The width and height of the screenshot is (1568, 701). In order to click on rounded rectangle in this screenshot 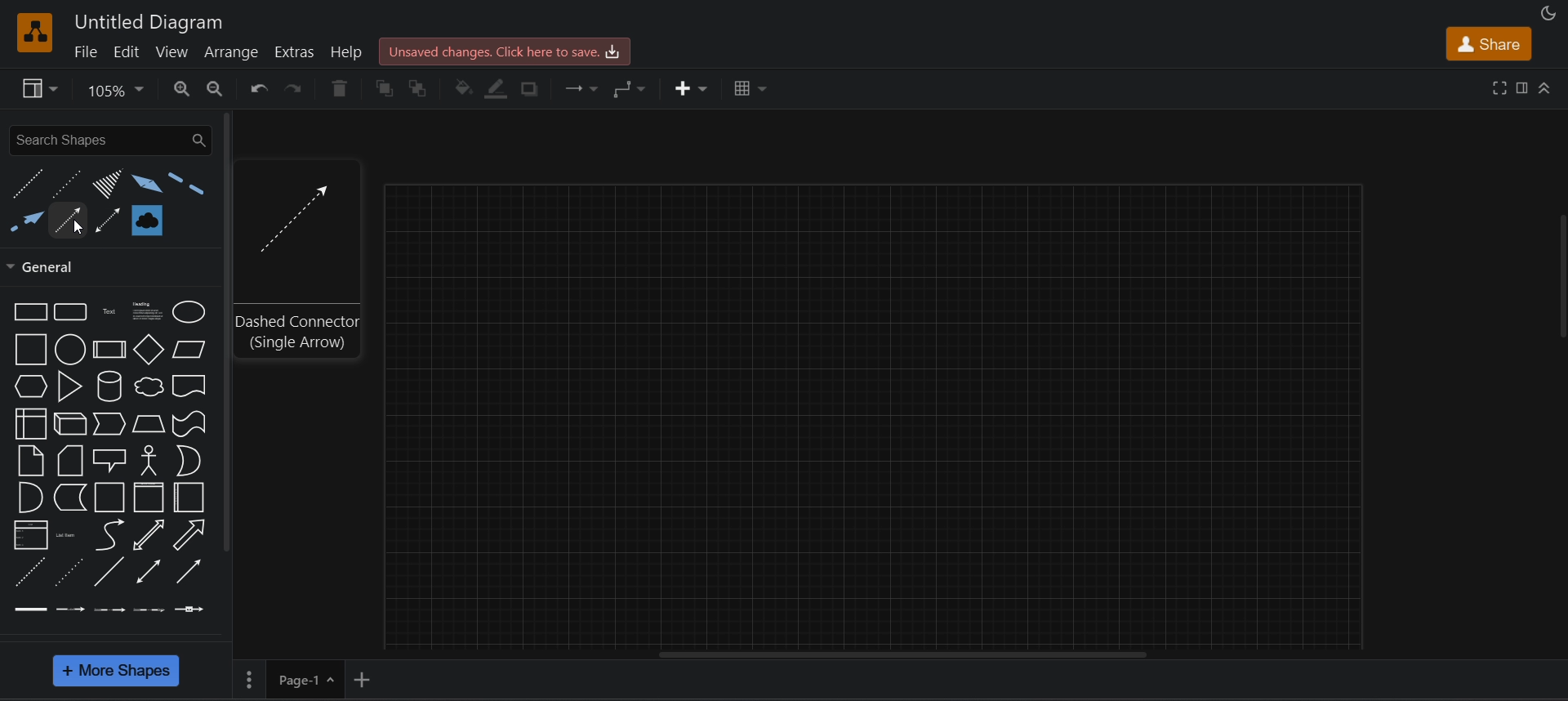, I will do `click(72, 312)`.